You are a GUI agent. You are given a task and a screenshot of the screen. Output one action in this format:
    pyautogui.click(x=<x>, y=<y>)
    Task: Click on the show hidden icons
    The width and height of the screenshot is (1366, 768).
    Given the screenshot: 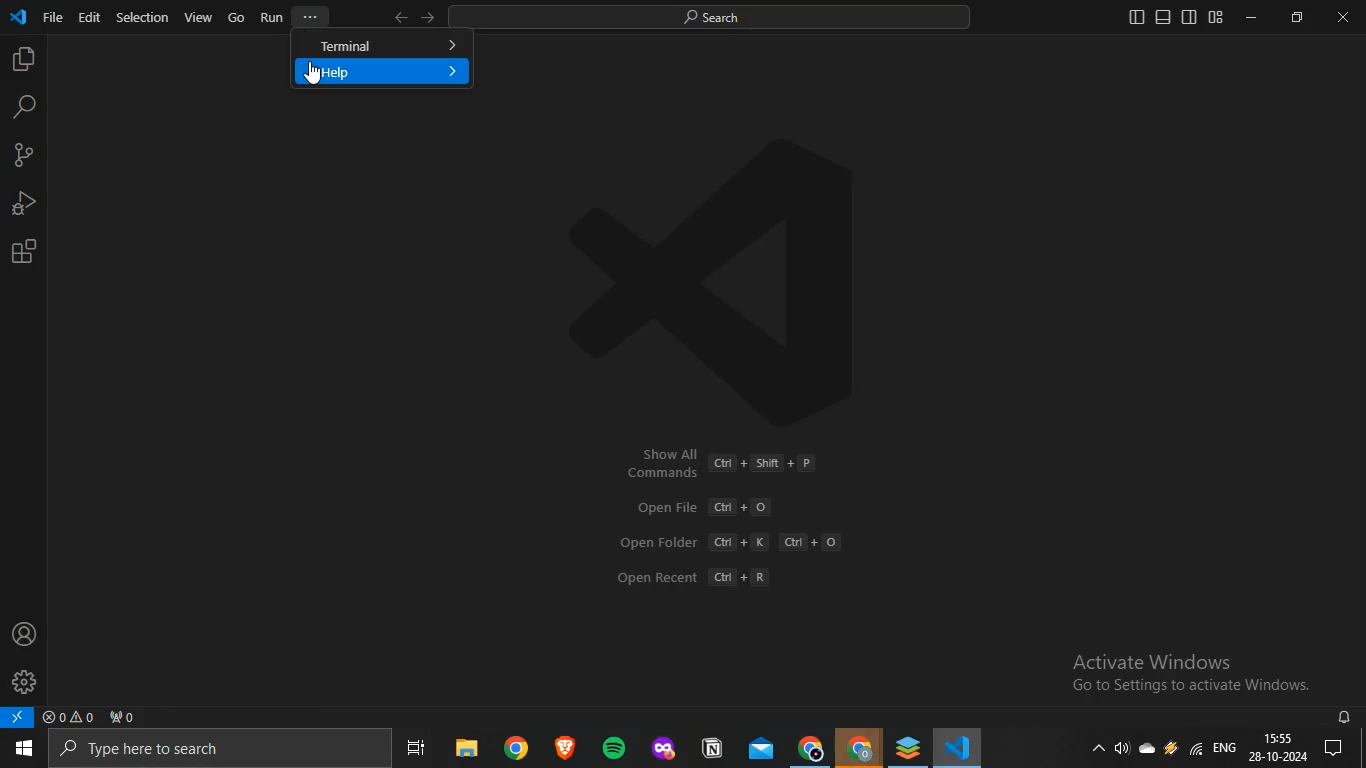 What is the action you would take?
    pyautogui.click(x=1100, y=752)
    